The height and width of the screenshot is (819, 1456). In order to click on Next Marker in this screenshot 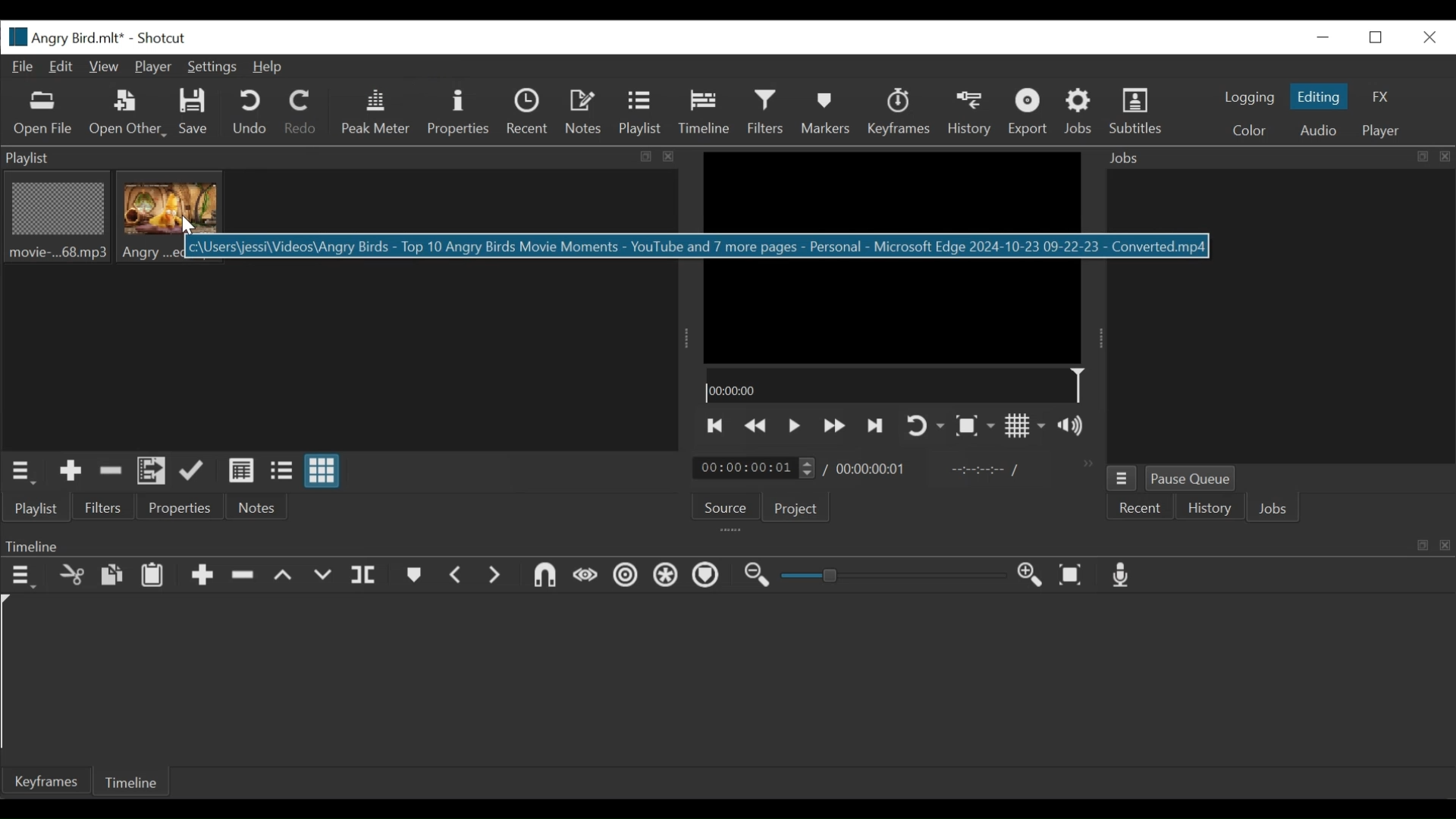, I will do `click(497, 577)`.